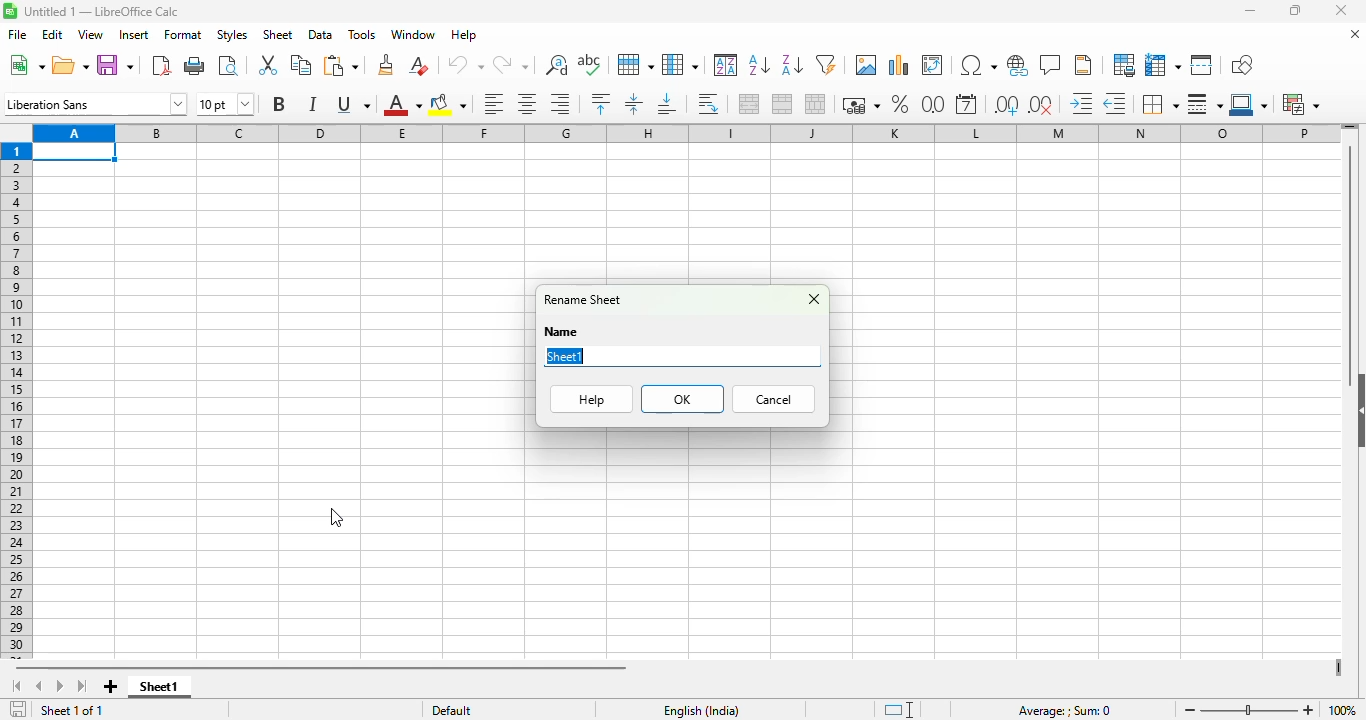  Describe the element at coordinates (90, 34) in the screenshot. I see `view` at that location.